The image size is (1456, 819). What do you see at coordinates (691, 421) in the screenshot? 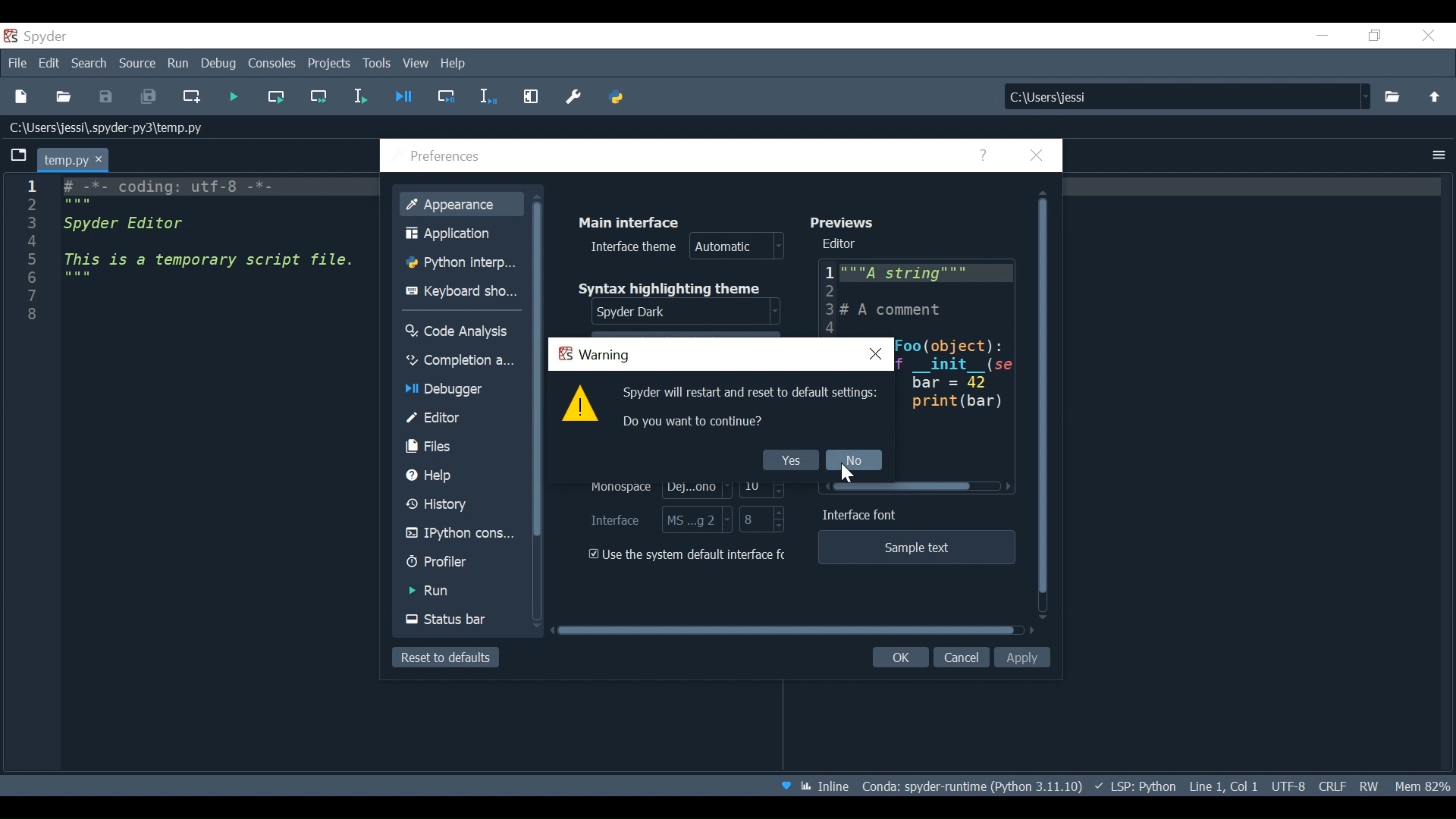
I see `Do you want to continue?` at bounding box center [691, 421].